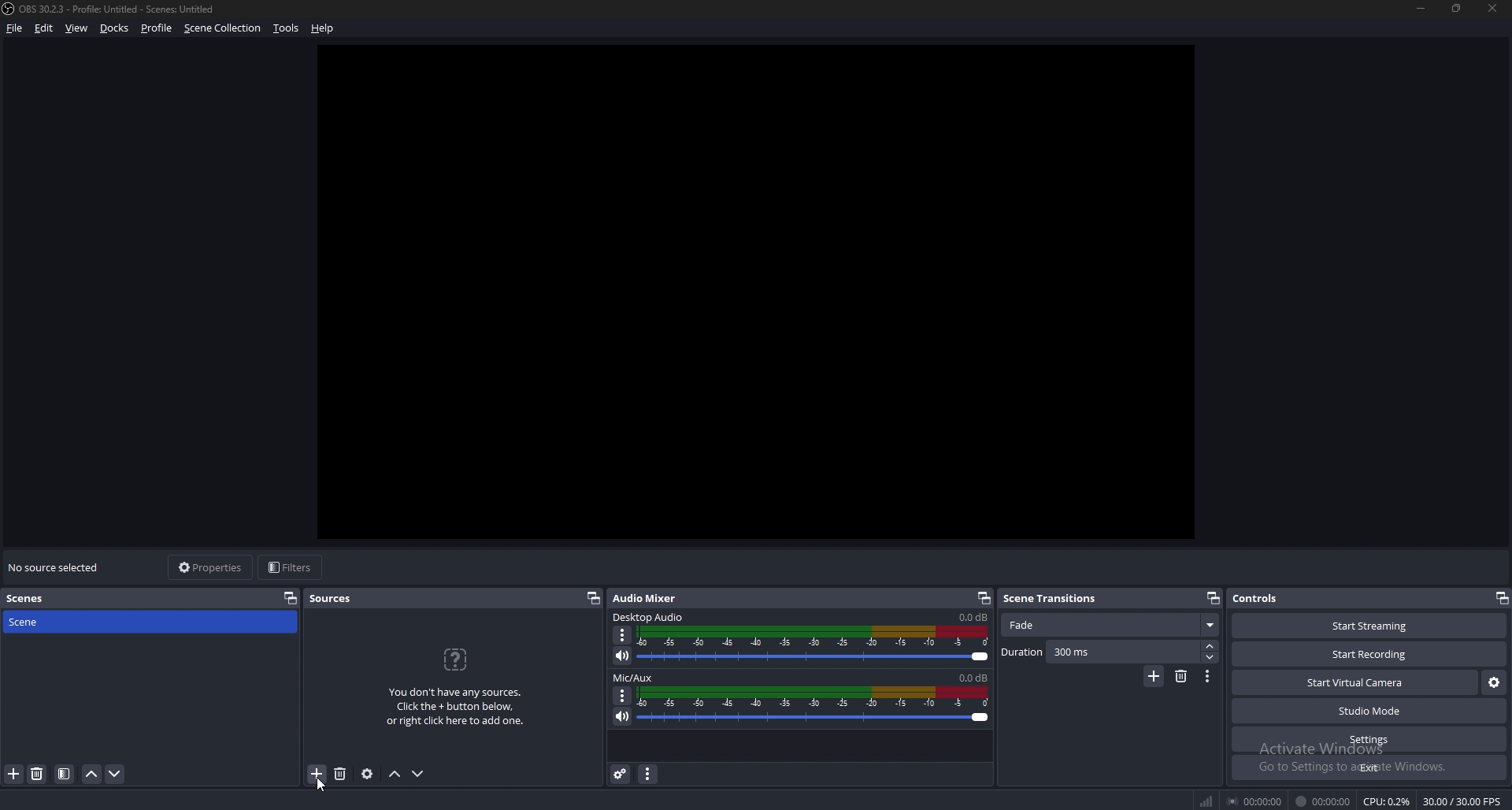  I want to click on Studio mode, so click(1370, 711).